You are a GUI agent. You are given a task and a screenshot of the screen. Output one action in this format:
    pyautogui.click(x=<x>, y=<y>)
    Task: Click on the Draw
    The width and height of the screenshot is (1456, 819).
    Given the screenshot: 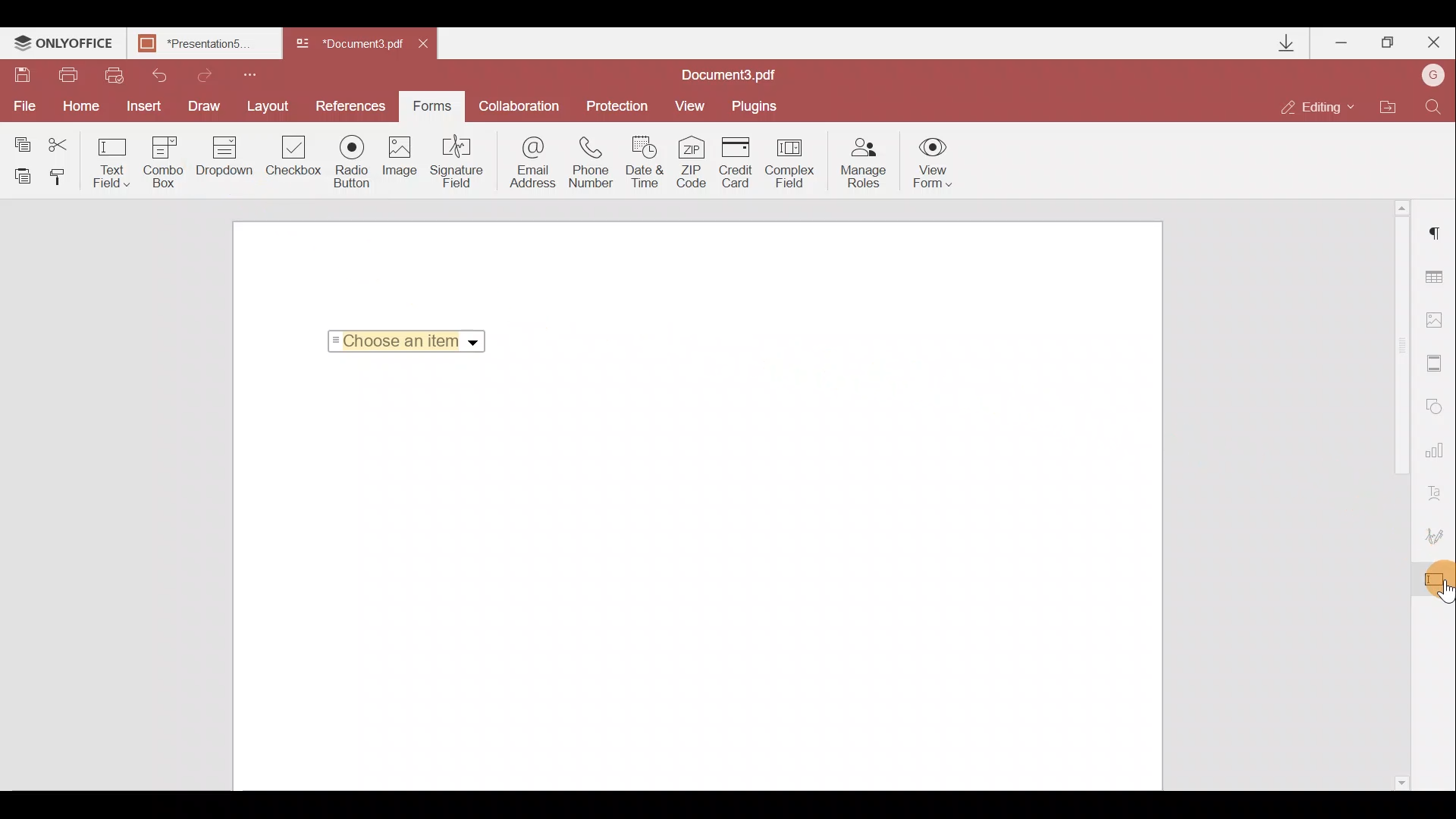 What is the action you would take?
    pyautogui.click(x=208, y=106)
    